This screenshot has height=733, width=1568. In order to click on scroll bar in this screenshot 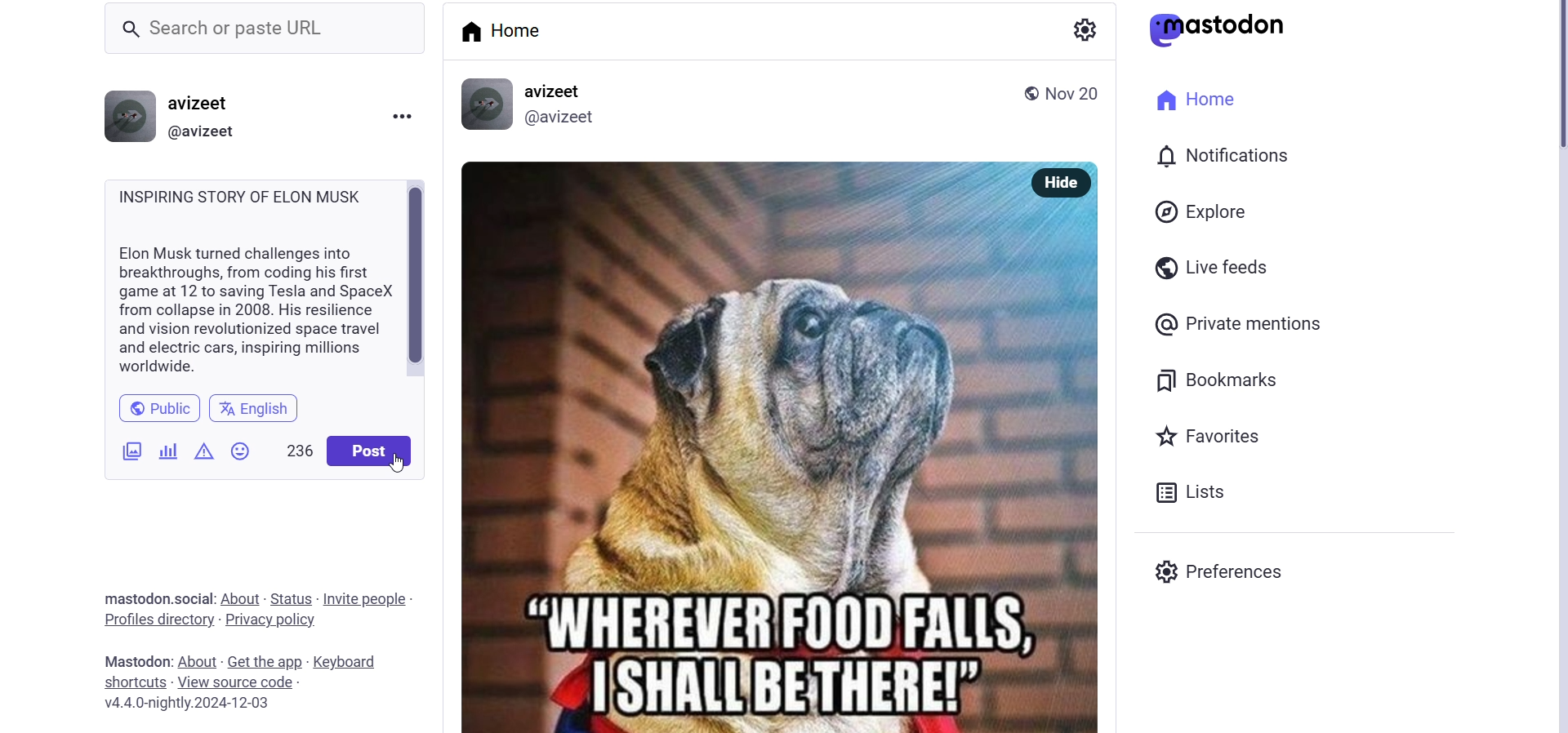, I will do `click(421, 282)`.